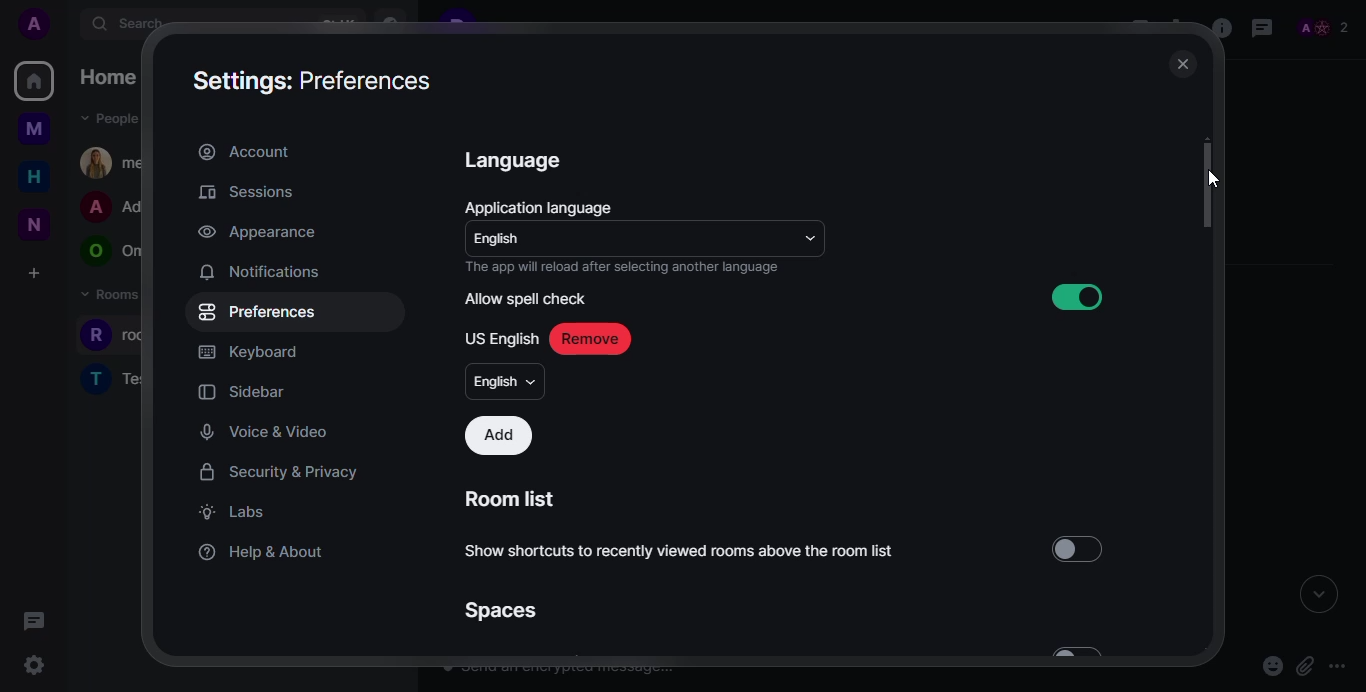 This screenshot has height=692, width=1366. Describe the element at coordinates (1080, 548) in the screenshot. I see `Toggle button` at that location.